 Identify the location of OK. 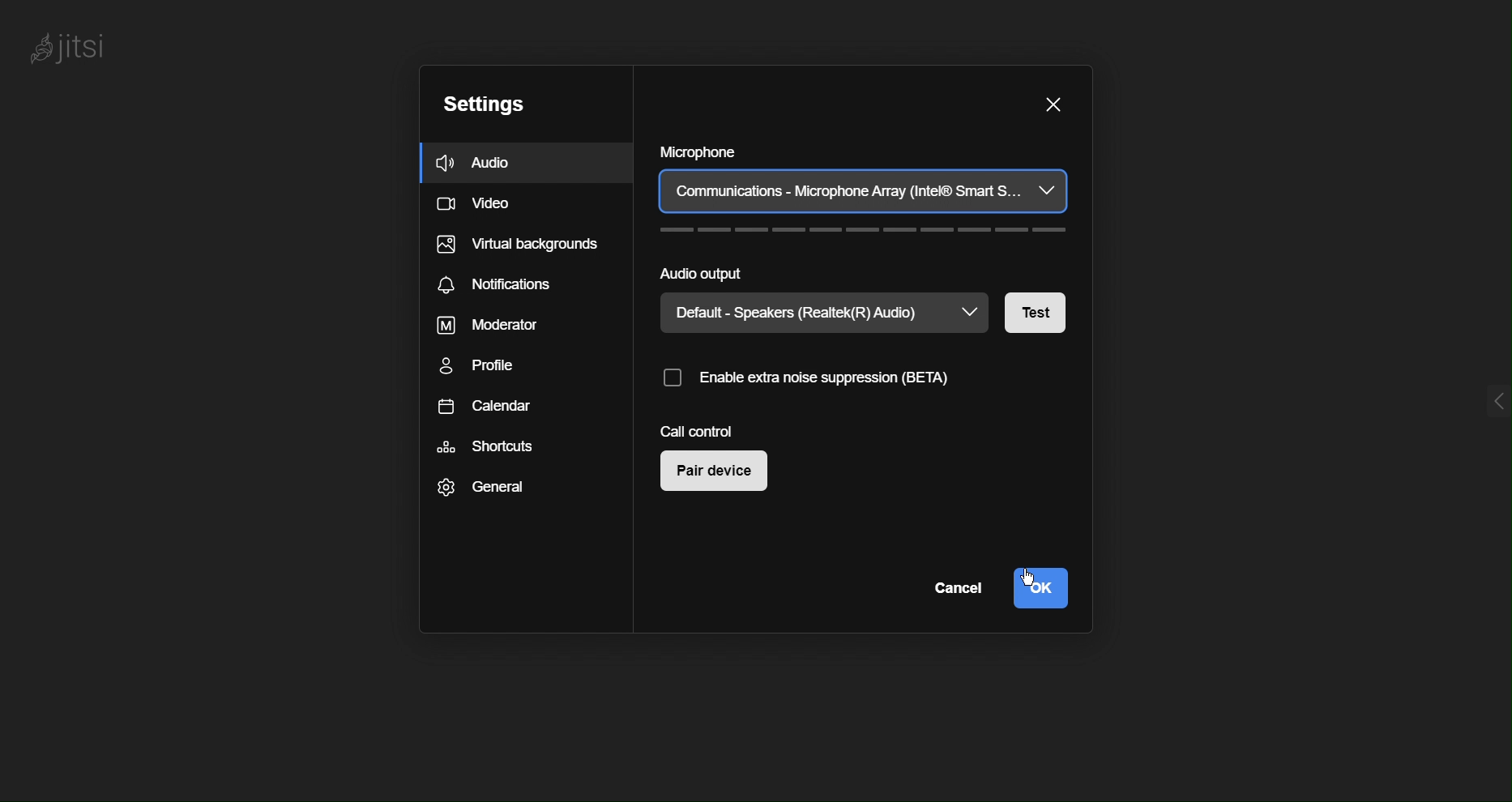
(1039, 587).